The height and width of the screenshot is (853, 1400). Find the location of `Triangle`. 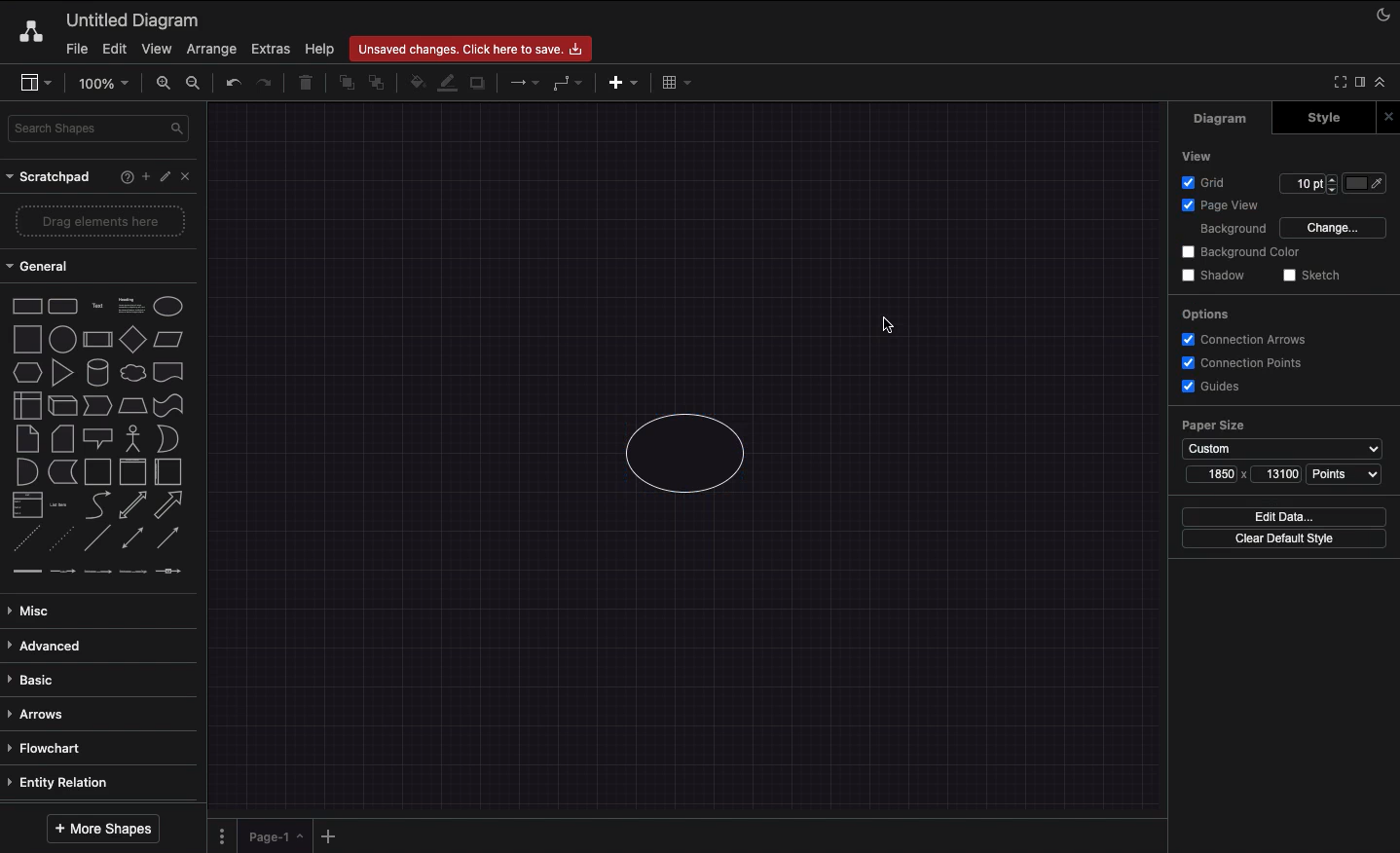

Triangle is located at coordinates (62, 372).